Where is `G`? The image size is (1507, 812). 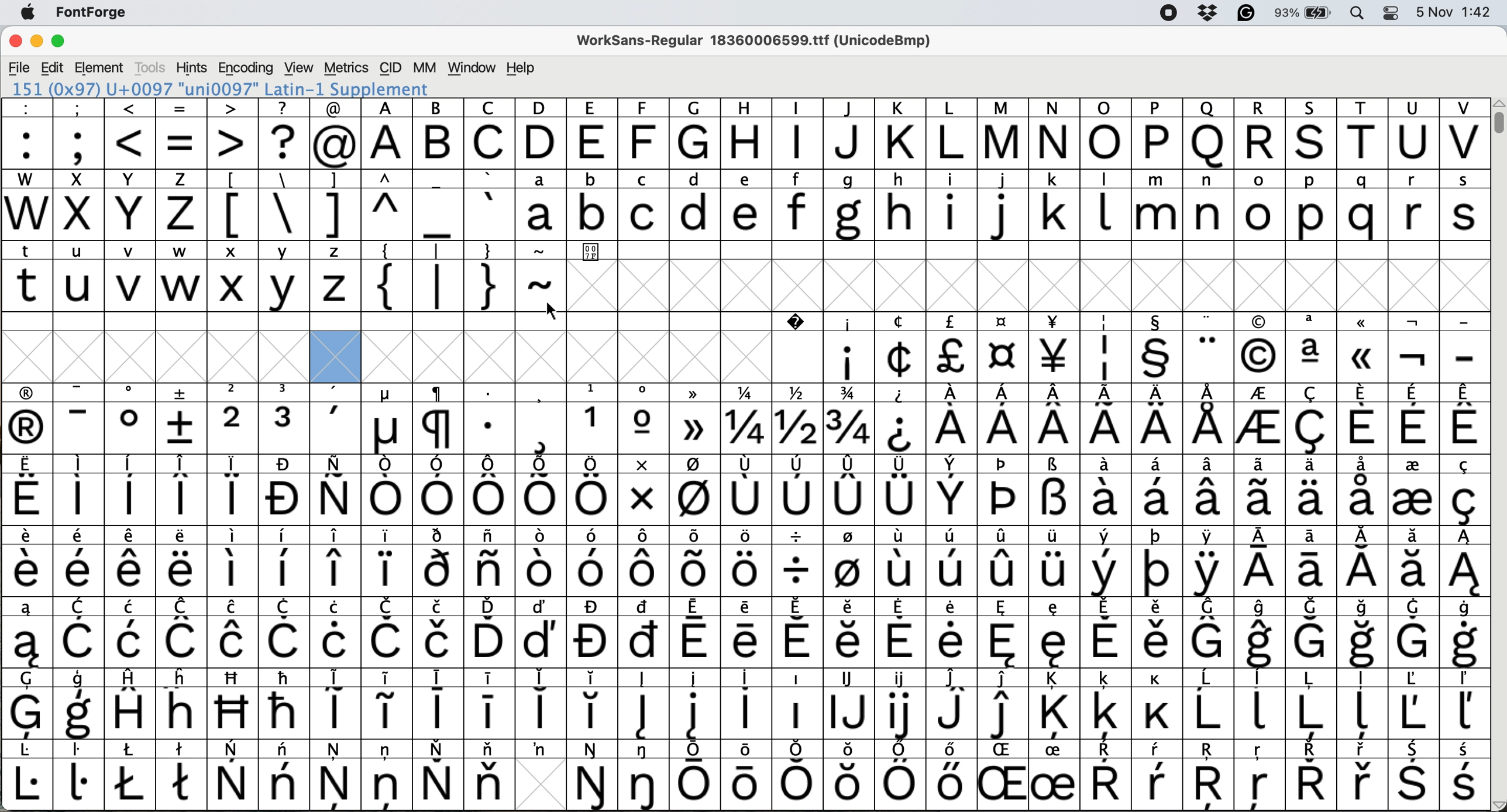
G is located at coordinates (696, 133).